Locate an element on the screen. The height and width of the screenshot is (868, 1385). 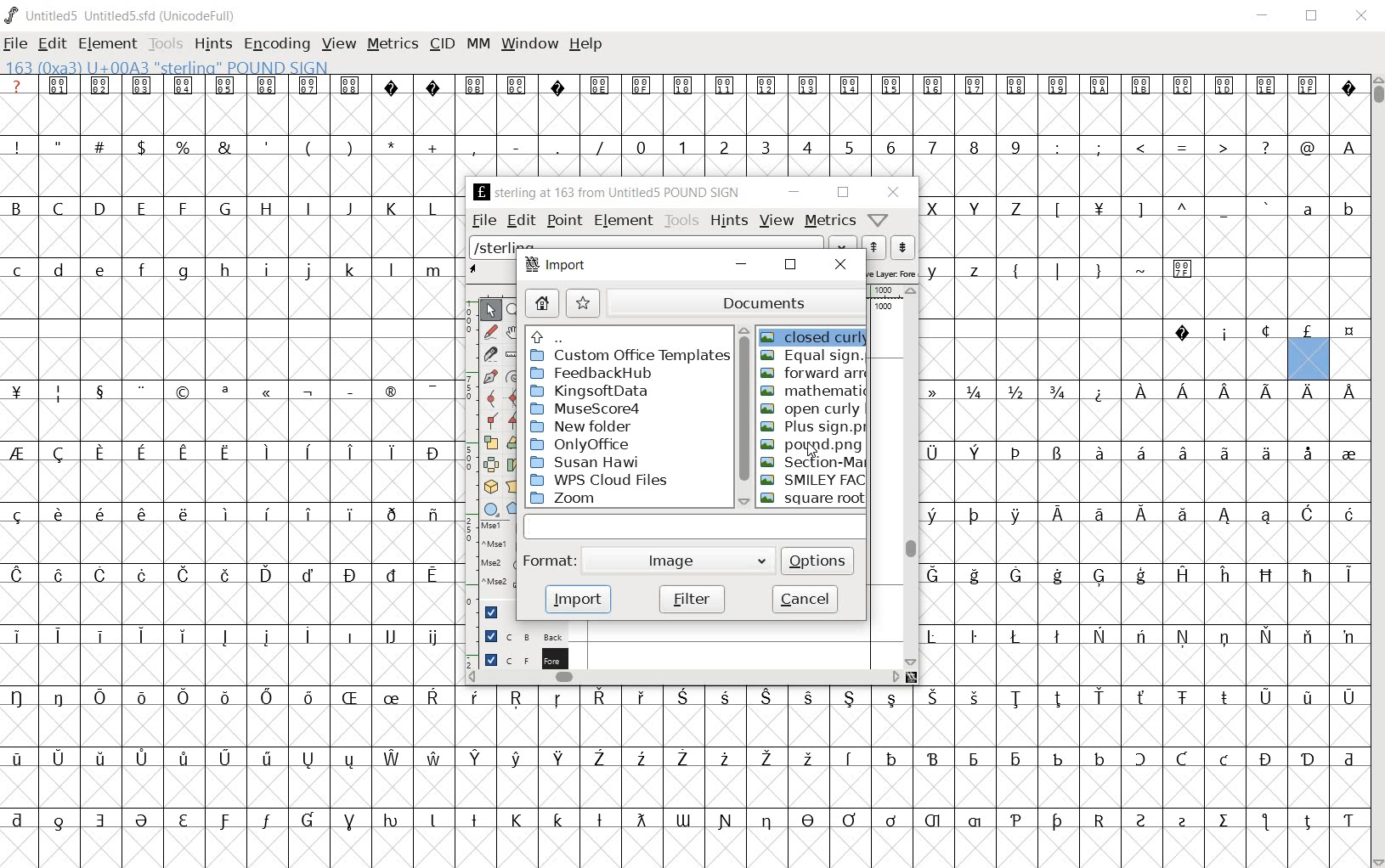
scrollbar is located at coordinates (741, 414).